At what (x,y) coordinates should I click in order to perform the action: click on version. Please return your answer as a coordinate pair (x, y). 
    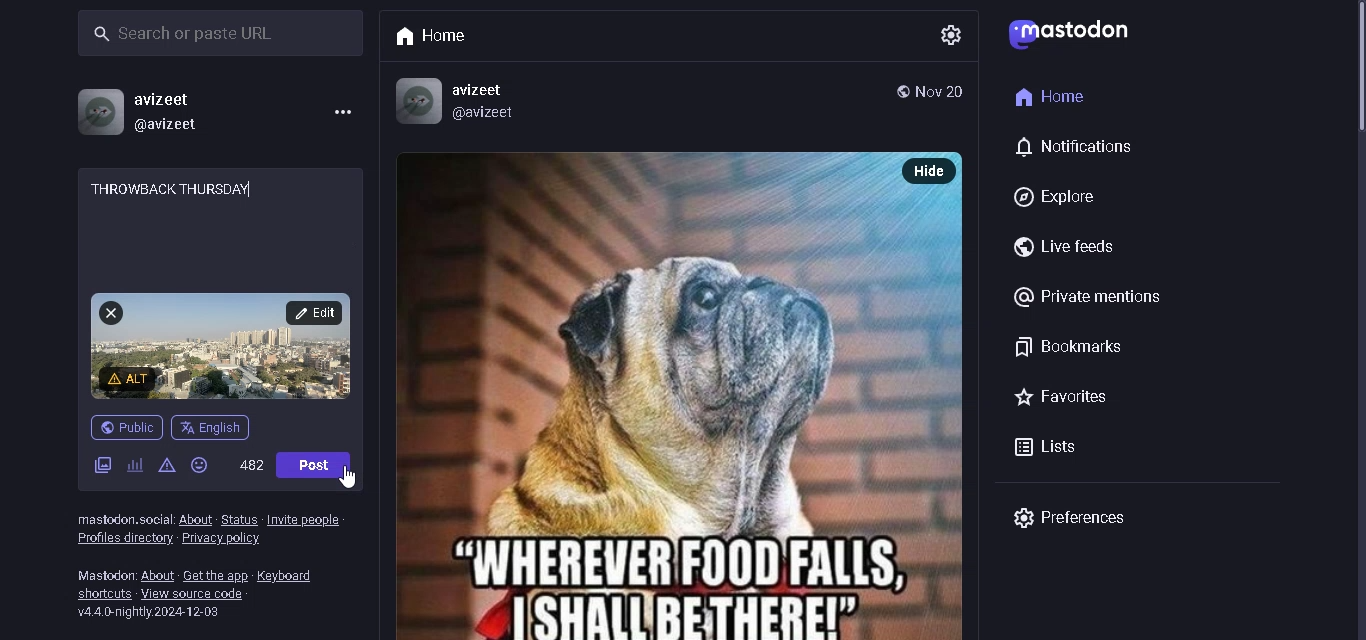
    Looking at the image, I should click on (150, 614).